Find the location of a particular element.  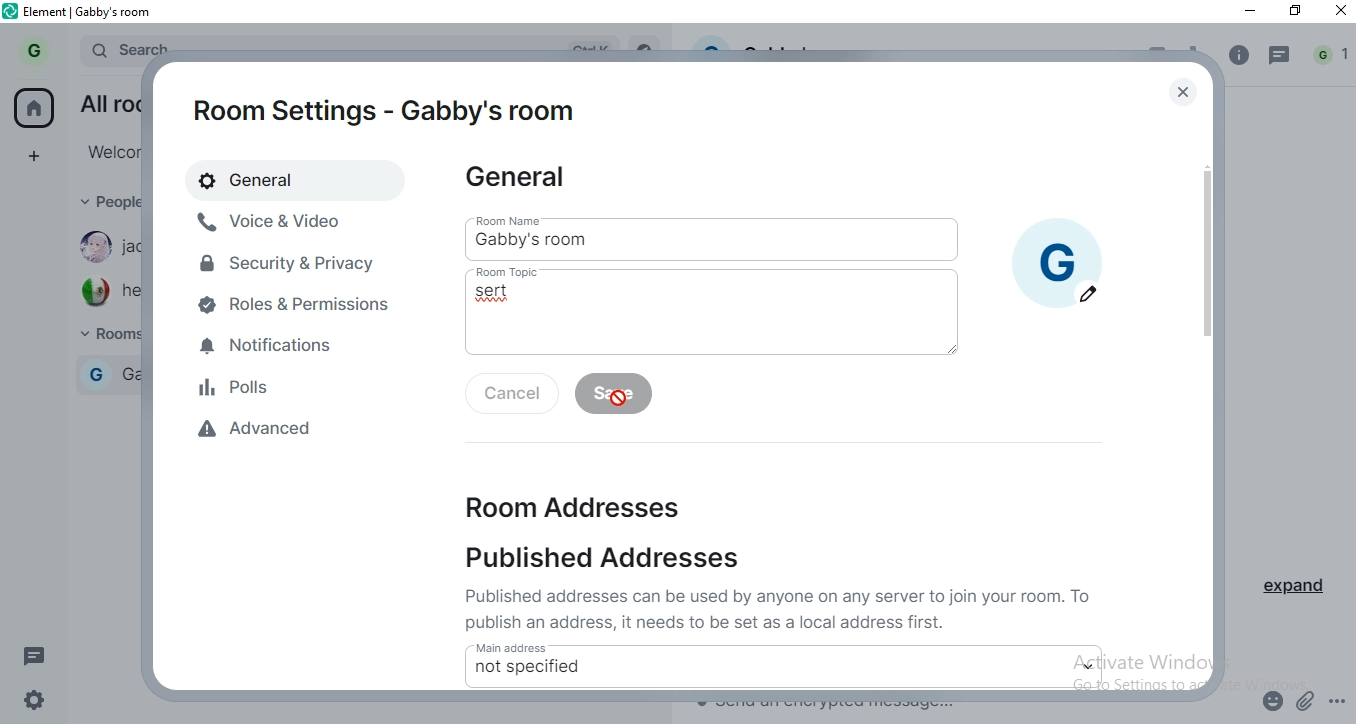

notification is located at coordinates (1331, 57).